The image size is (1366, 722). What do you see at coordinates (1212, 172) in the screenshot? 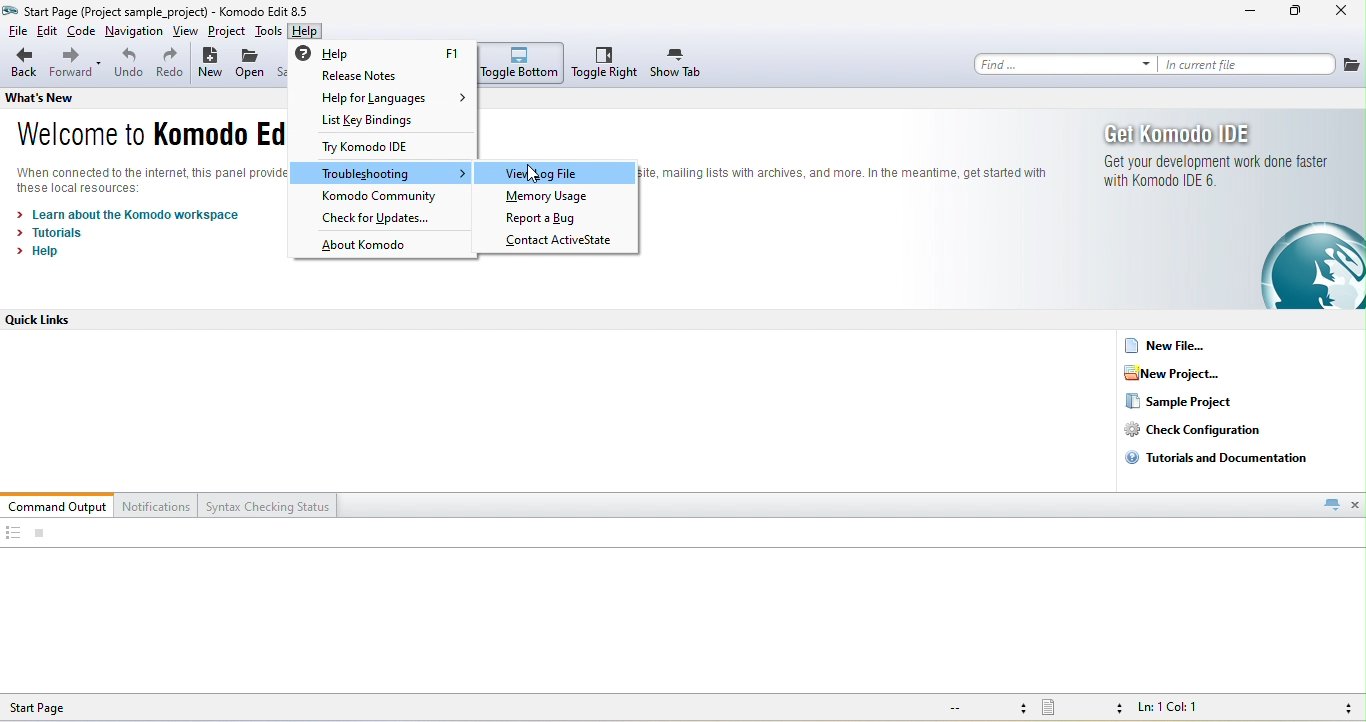
I see `get your development with done faster with komodo ide 6` at bounding box center [1212, 172].